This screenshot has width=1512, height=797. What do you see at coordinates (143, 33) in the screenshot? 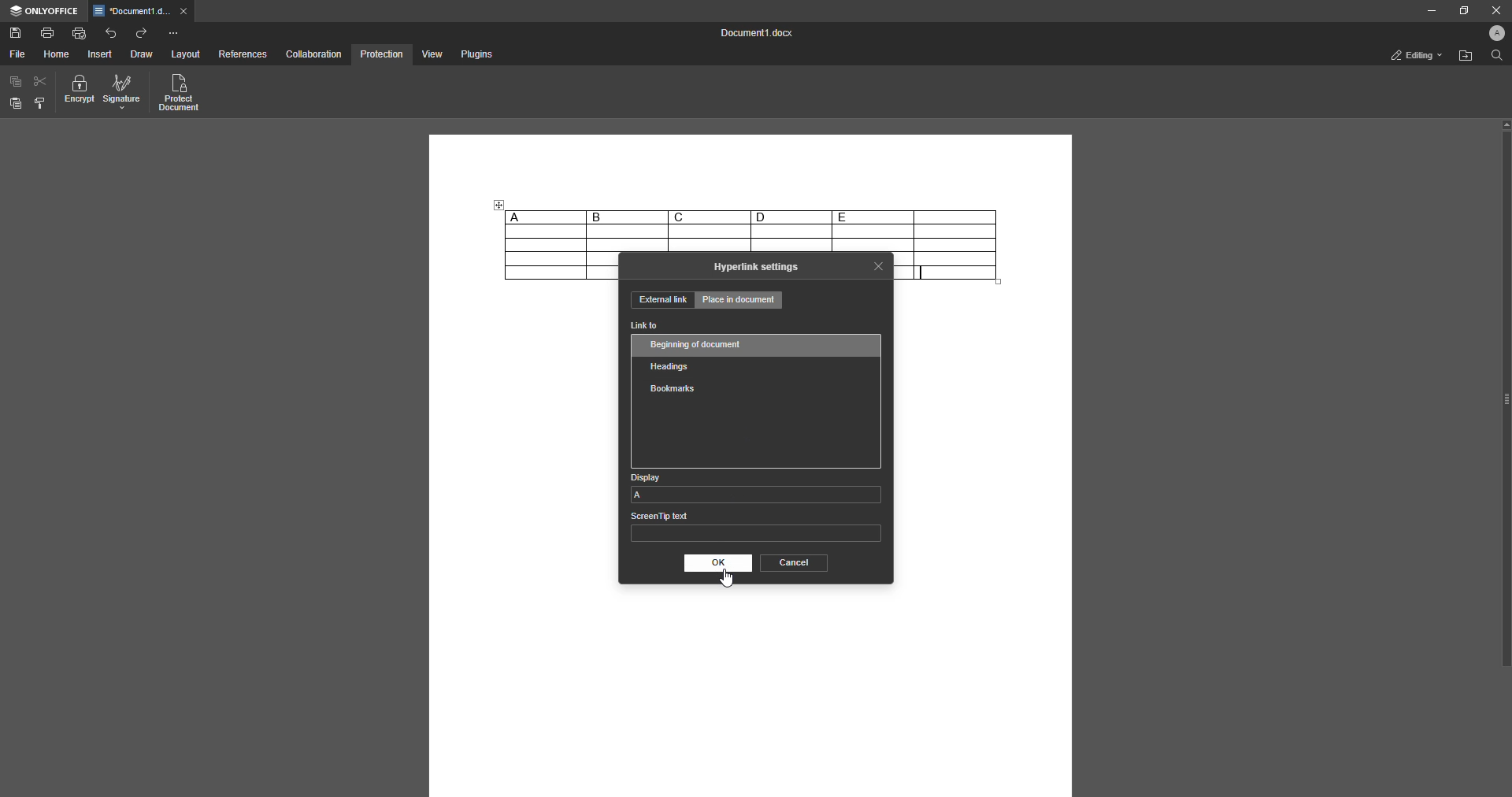
I see `Redo` at bounding box center [143, 33].